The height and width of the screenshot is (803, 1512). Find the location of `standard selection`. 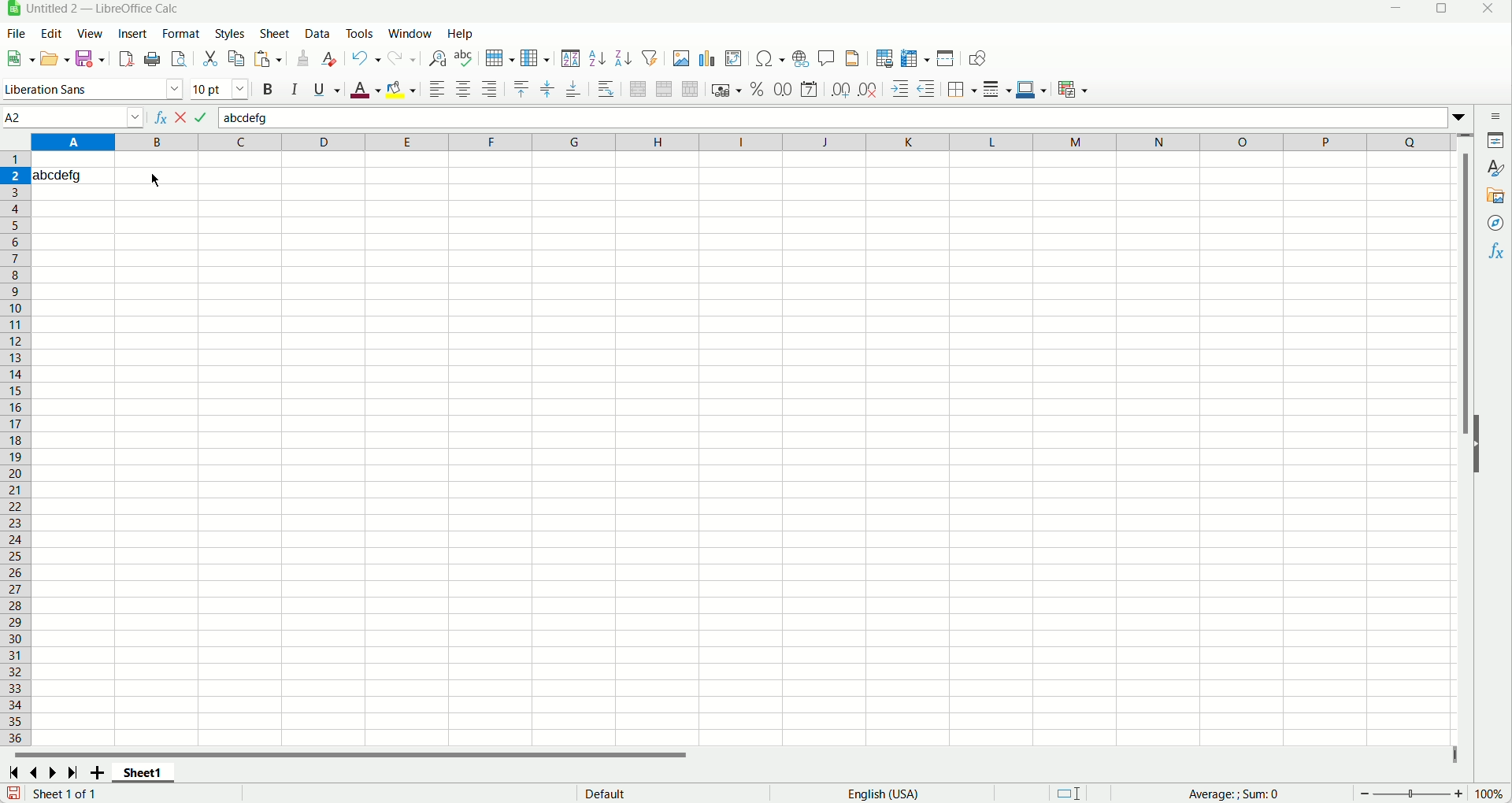

standard selection is located at coordinates (1067, 793).